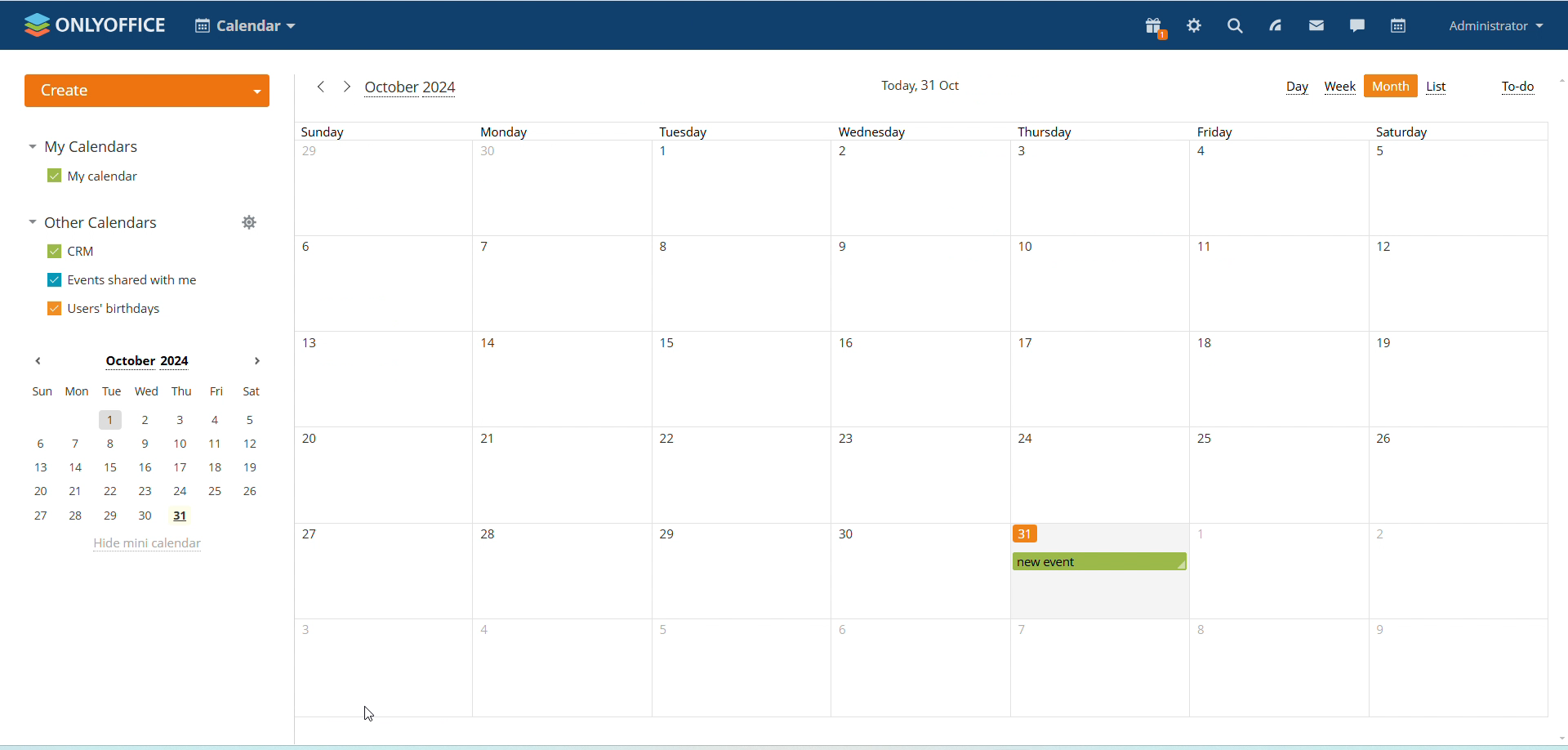 This screenshot has width=1568, height=750. I want to click on other calendars, so click(98, 224).